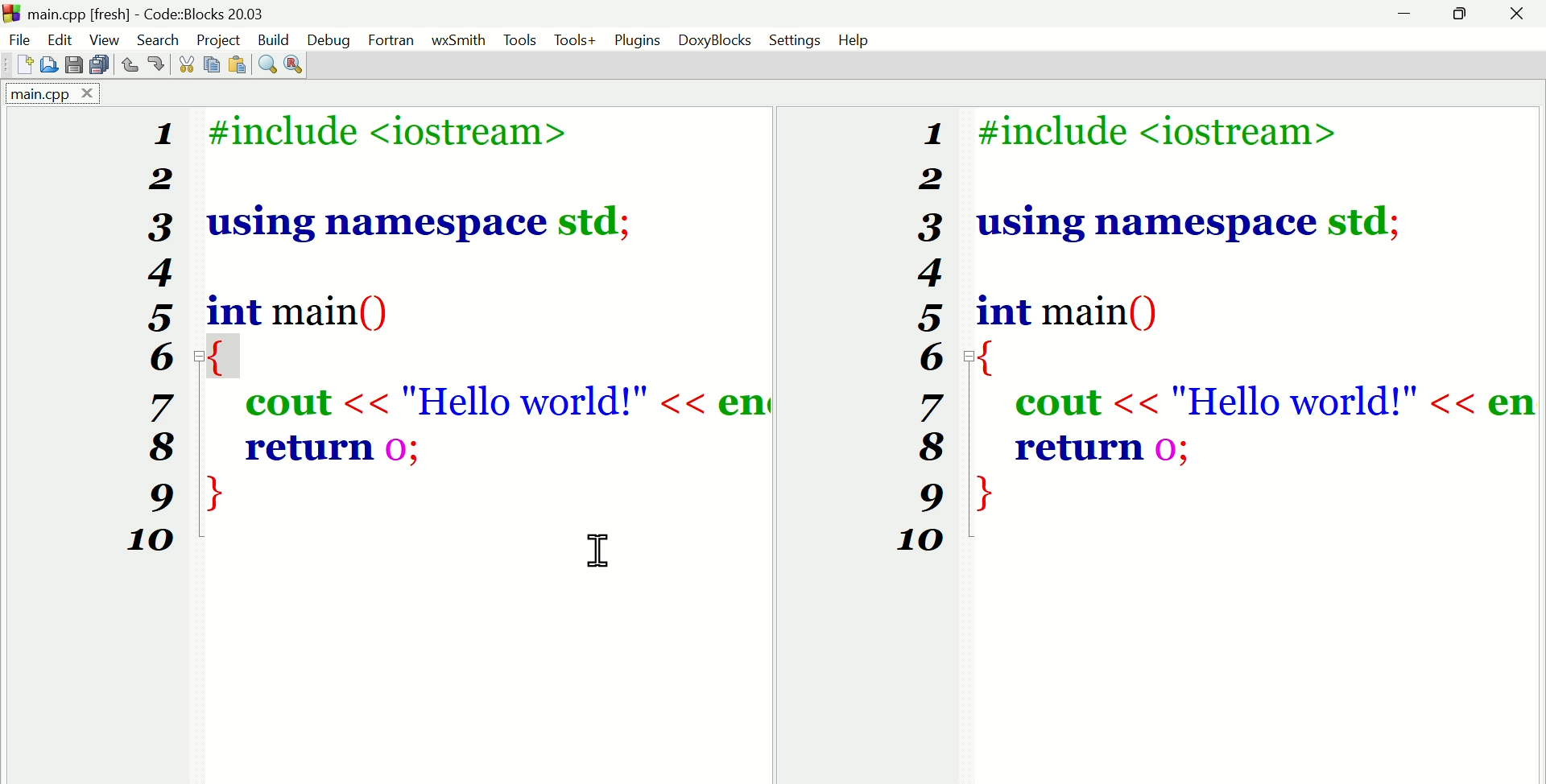 This screenshot has height=784, width=1546. Describe the element at coordinates (48, 64) in the screenshot. I see `New` at that location.